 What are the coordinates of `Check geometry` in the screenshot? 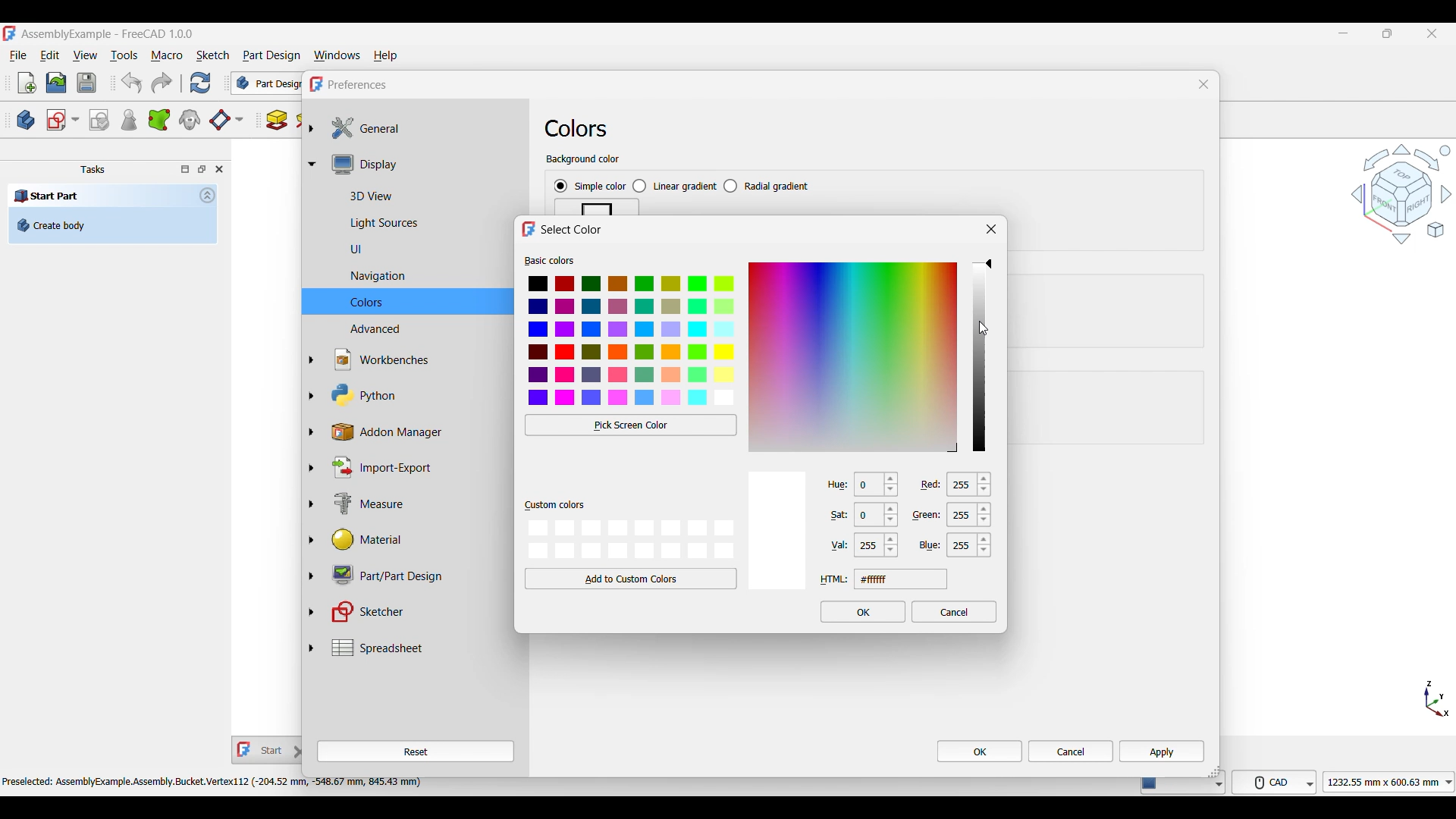 It's located at (128, 120).